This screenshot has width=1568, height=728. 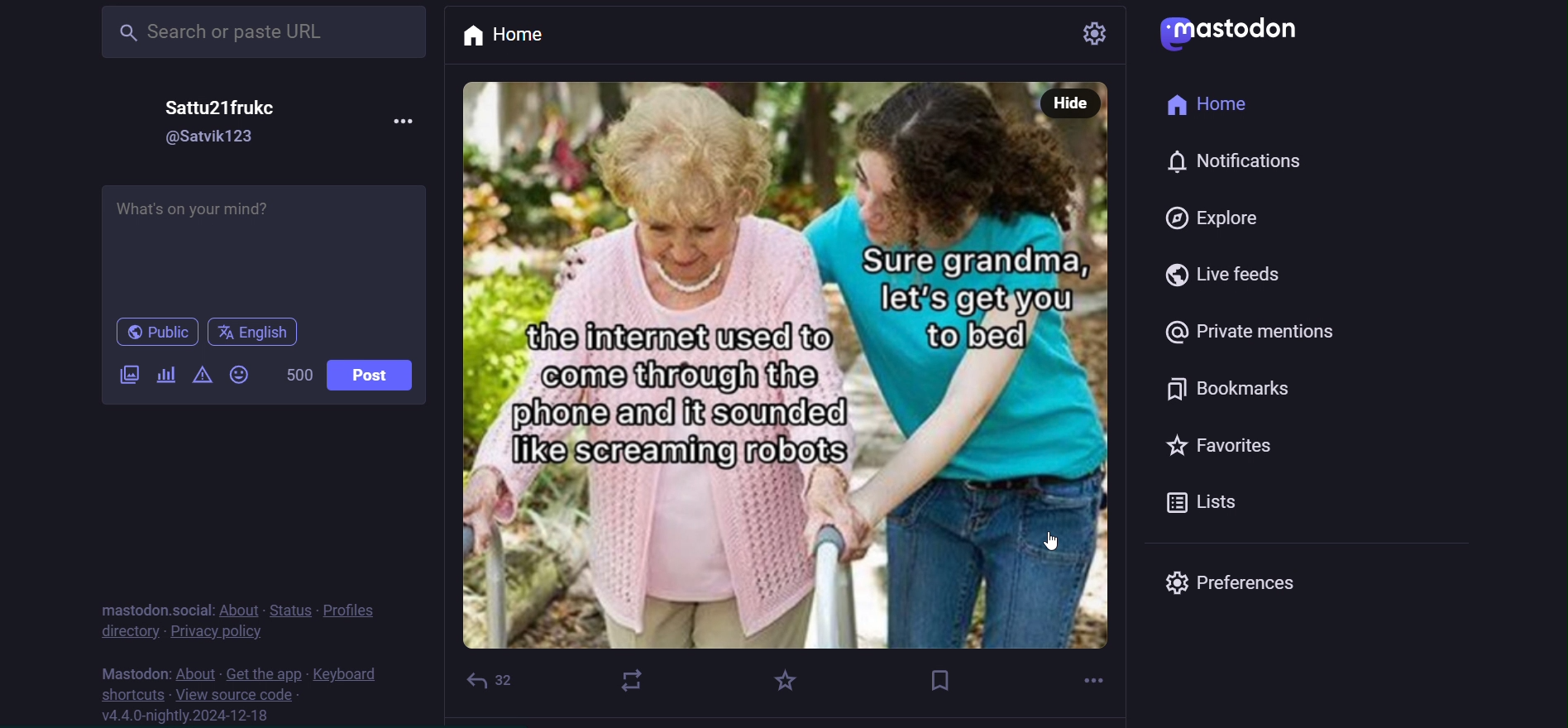 What do you see at coordinates (153, 608) in the screenshot?
I see `mastodon social` at bounding box center [153, 608].